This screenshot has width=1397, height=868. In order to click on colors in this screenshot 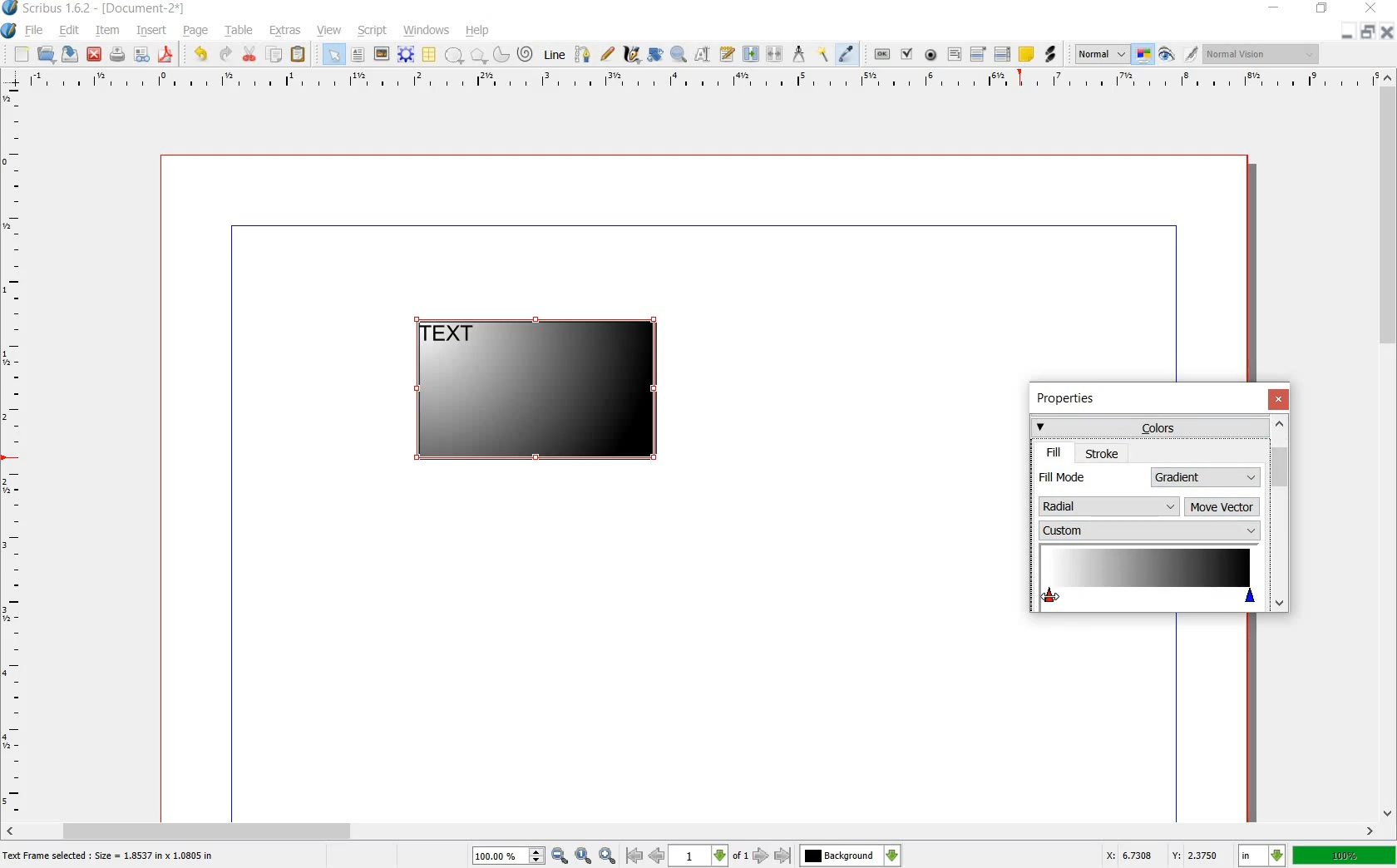, I will do `click(1148, 427)`.